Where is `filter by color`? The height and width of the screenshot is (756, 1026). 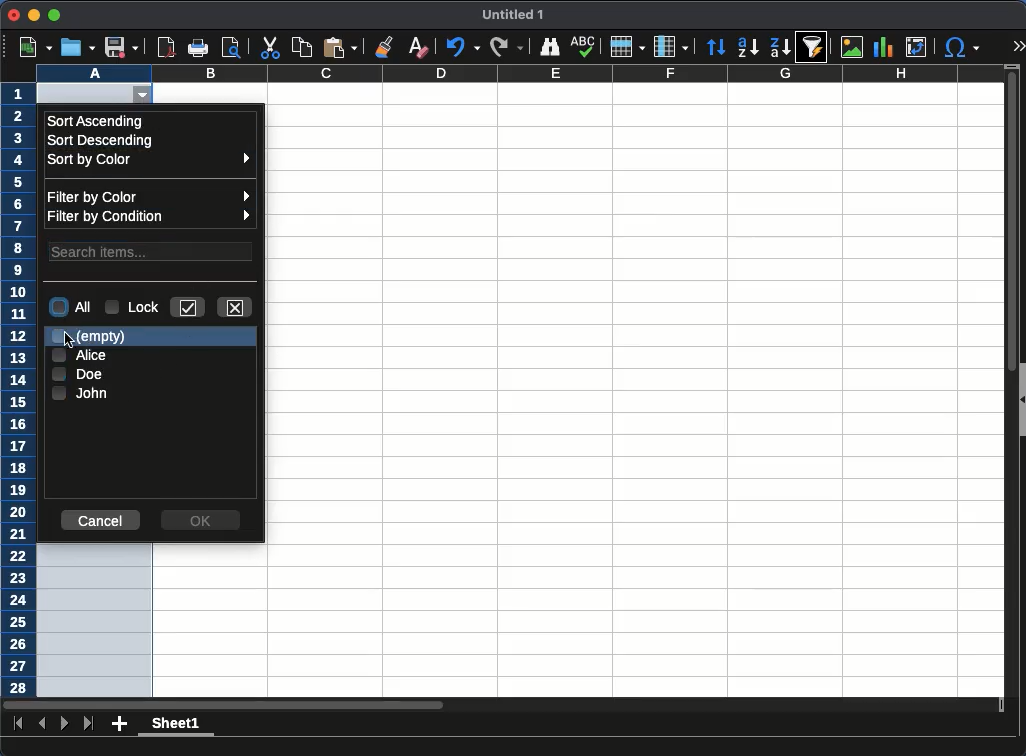
filter by color is located at coordinates (149, 196).